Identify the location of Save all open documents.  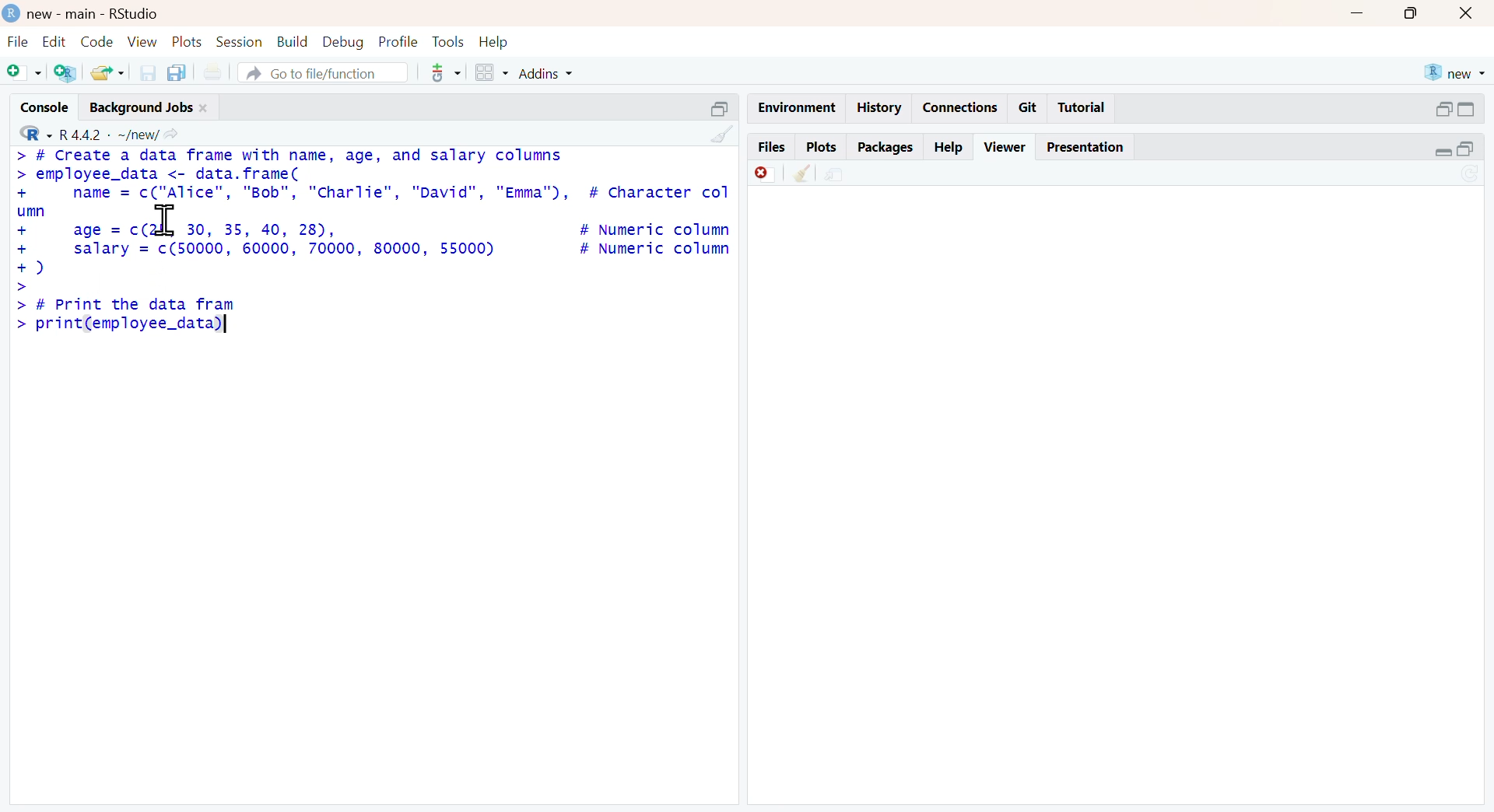
(181, 71).